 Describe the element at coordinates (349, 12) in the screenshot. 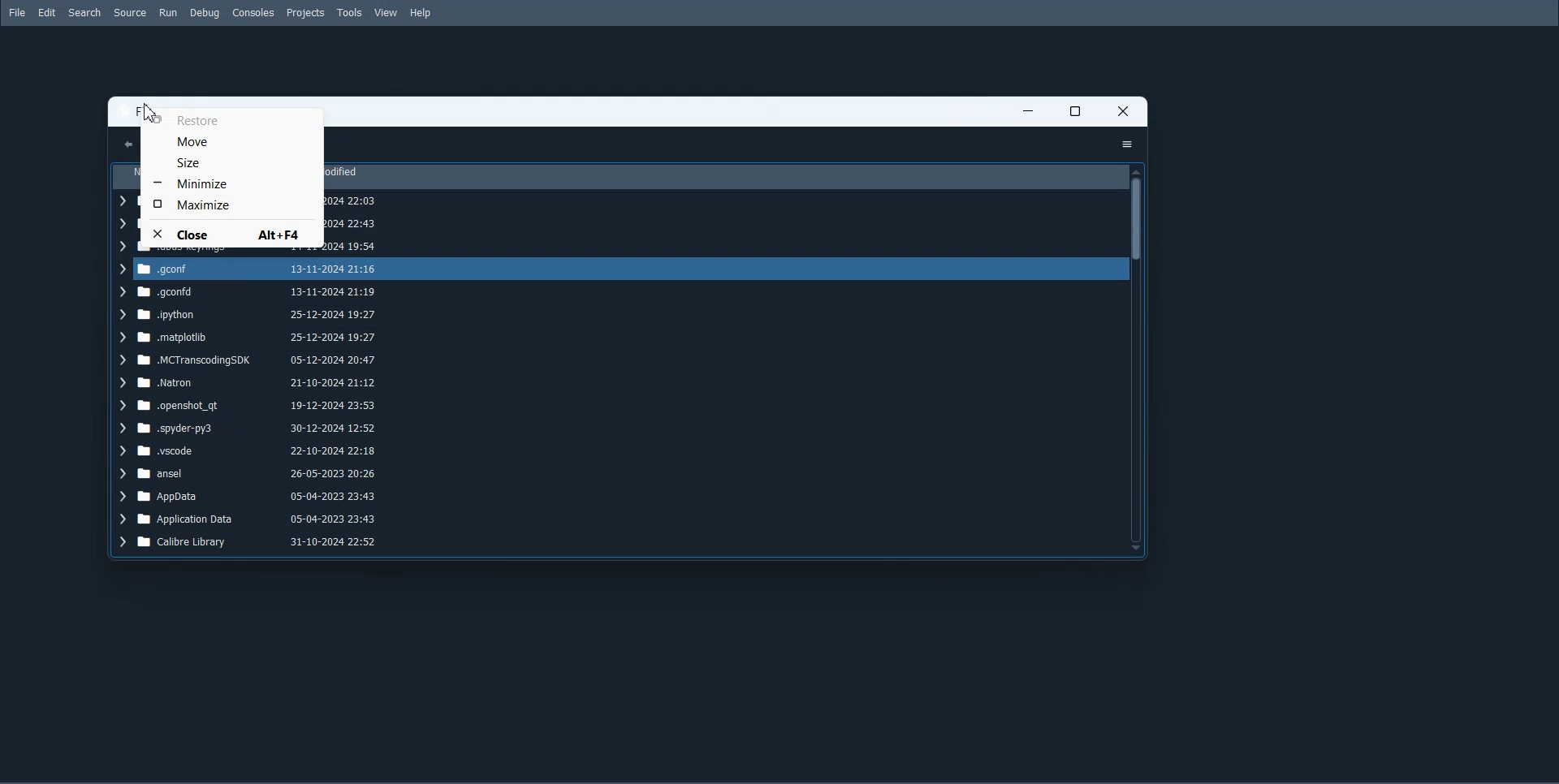

I see `Tools` at that location.